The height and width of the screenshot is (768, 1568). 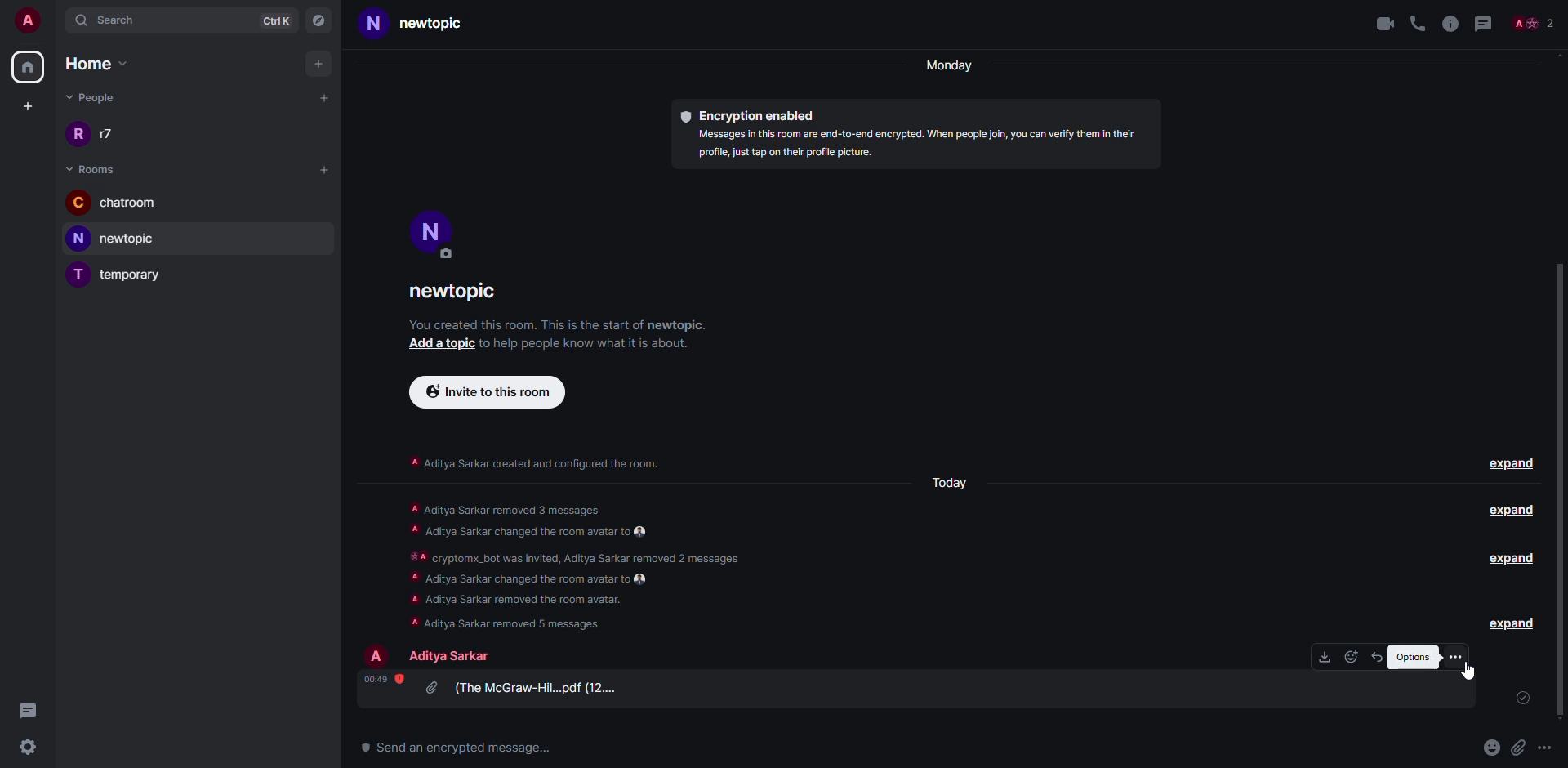 I want to click on add, so click(x=320, y=64).